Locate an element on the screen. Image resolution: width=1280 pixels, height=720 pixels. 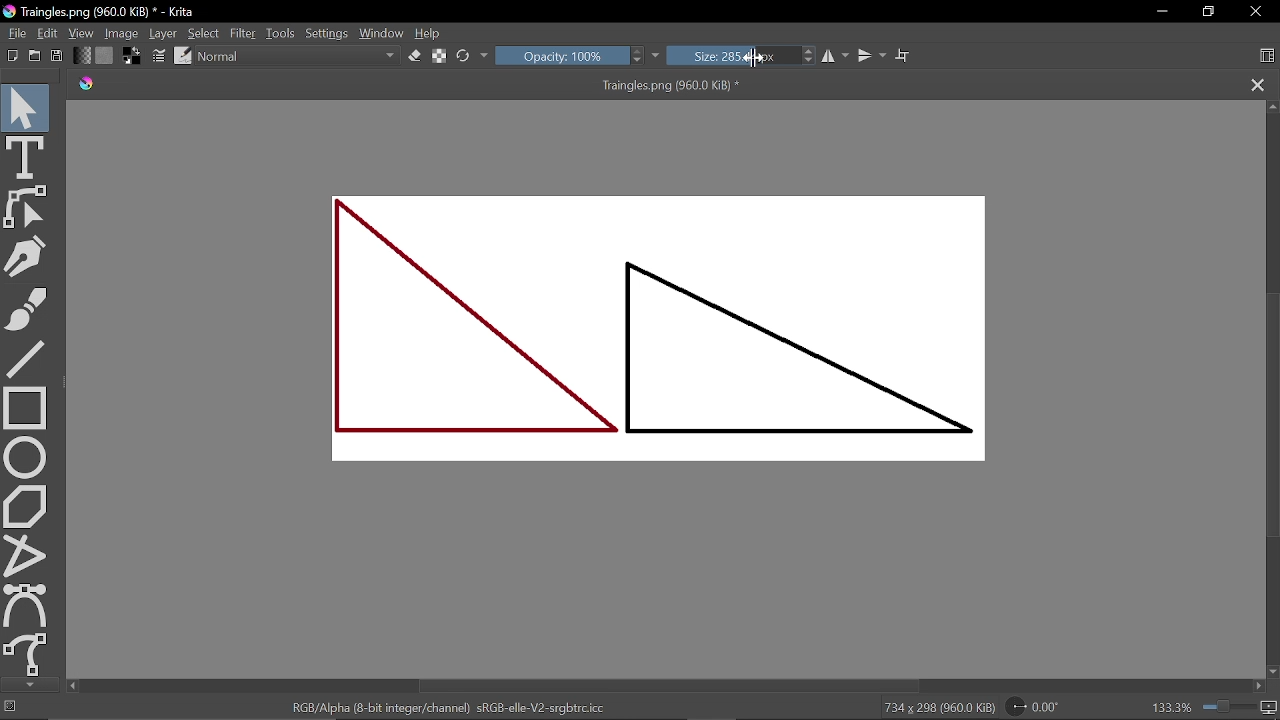
Select shapes tool is located at coordinates (25, 107).